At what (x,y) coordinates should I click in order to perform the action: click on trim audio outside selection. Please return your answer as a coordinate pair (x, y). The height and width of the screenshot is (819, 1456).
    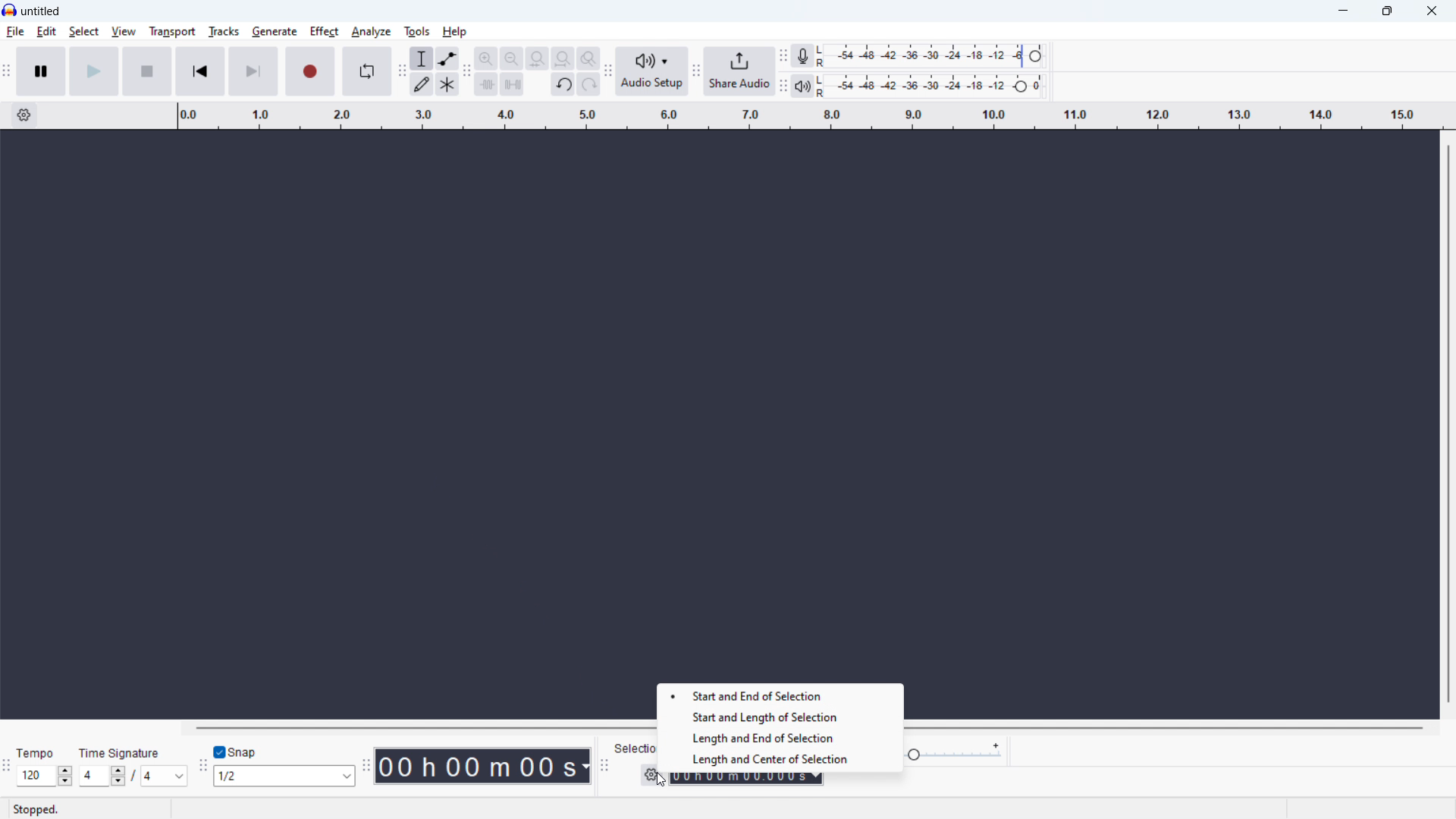
    Looking at the image, I should click on (487, 84).